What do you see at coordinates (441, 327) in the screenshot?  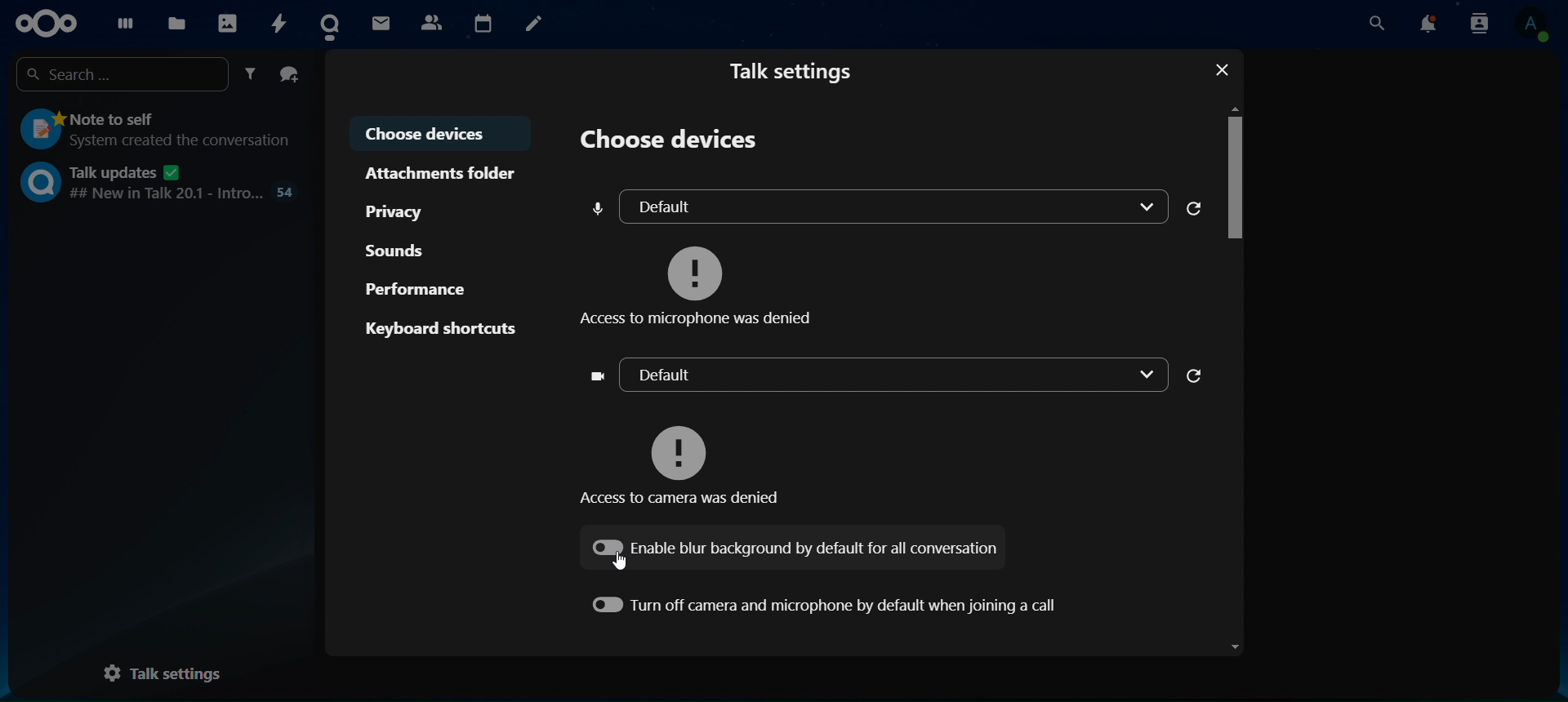 I see `keyboard shortcuts` at bounding box center [441, 327].